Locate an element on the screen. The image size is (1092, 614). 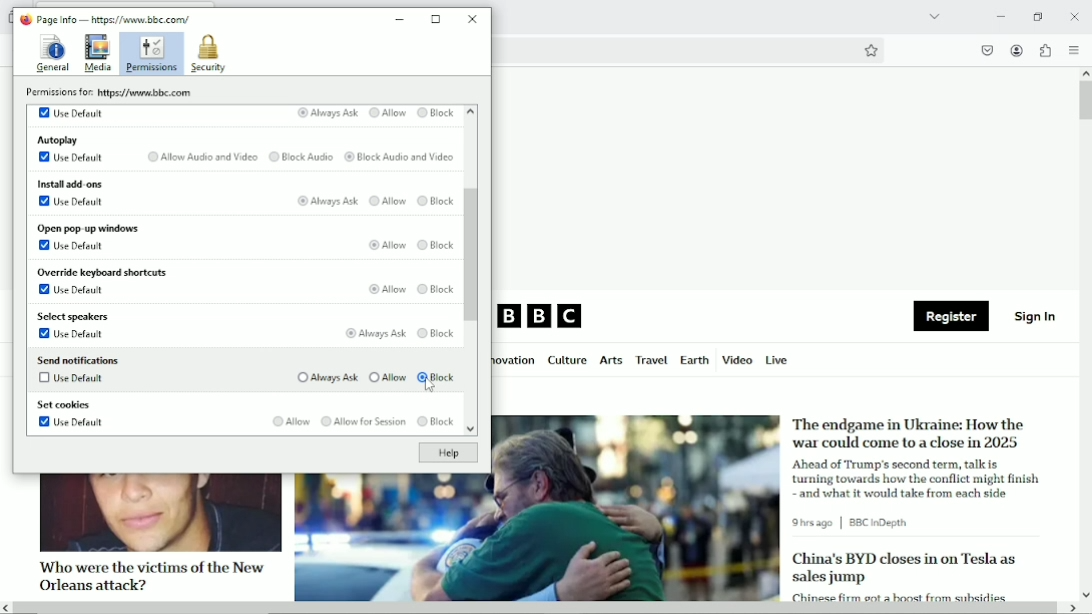
send notifications is located at coordinates (77, 359).